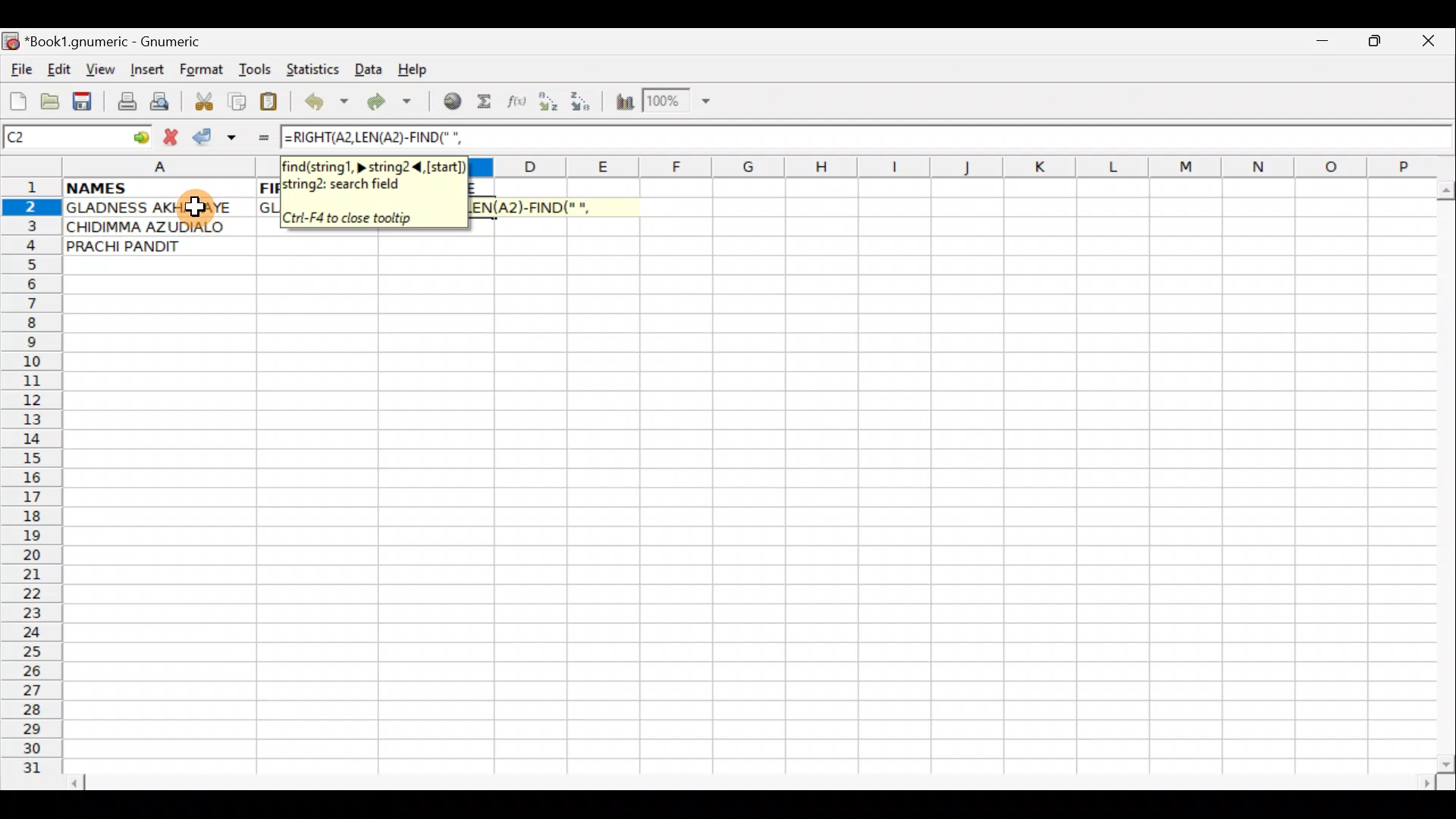  Describe the element at coordinates (585, 105) in the screenshot. I see `Sort Descending order` at that location.